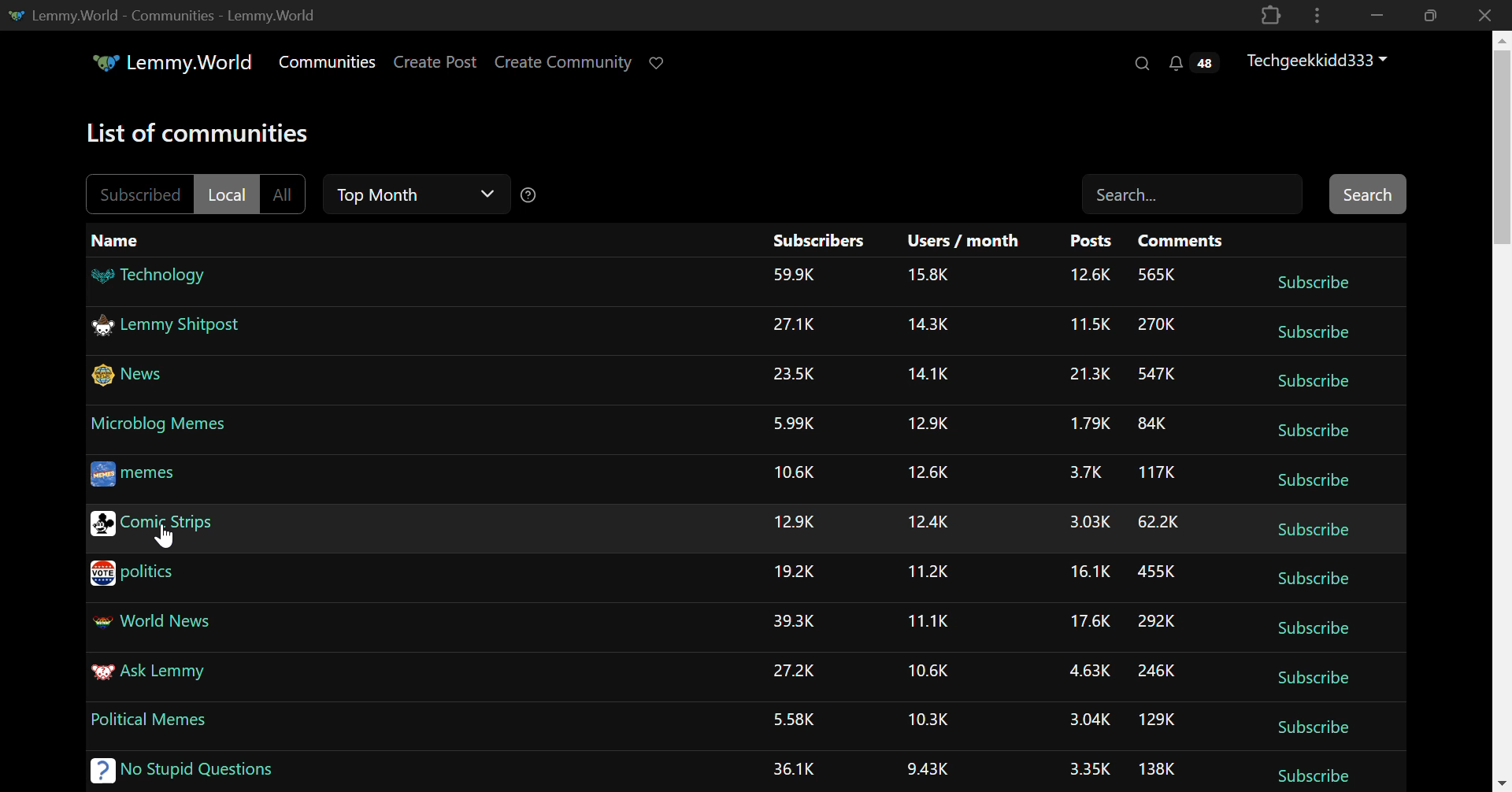 The height and width of the screenshot is (792, 1512). What do you see at coordinates (1377, 13) in the screenshot?
I see `Restore Down` at bounding box center [1377, 13].